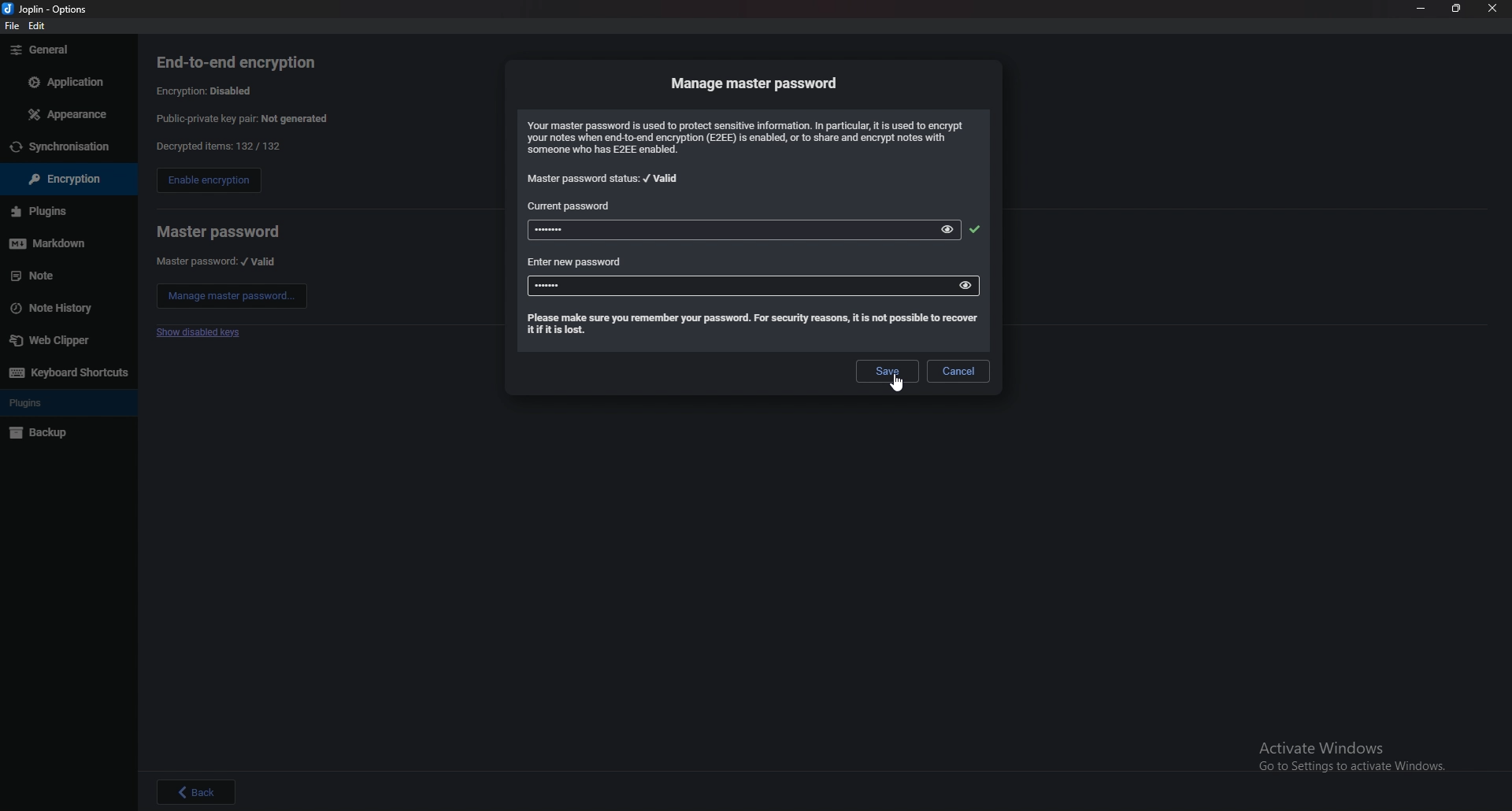 Image resolution: width=1512 pixels, height=811 pixels. I want to click on file, so click(13, 28).